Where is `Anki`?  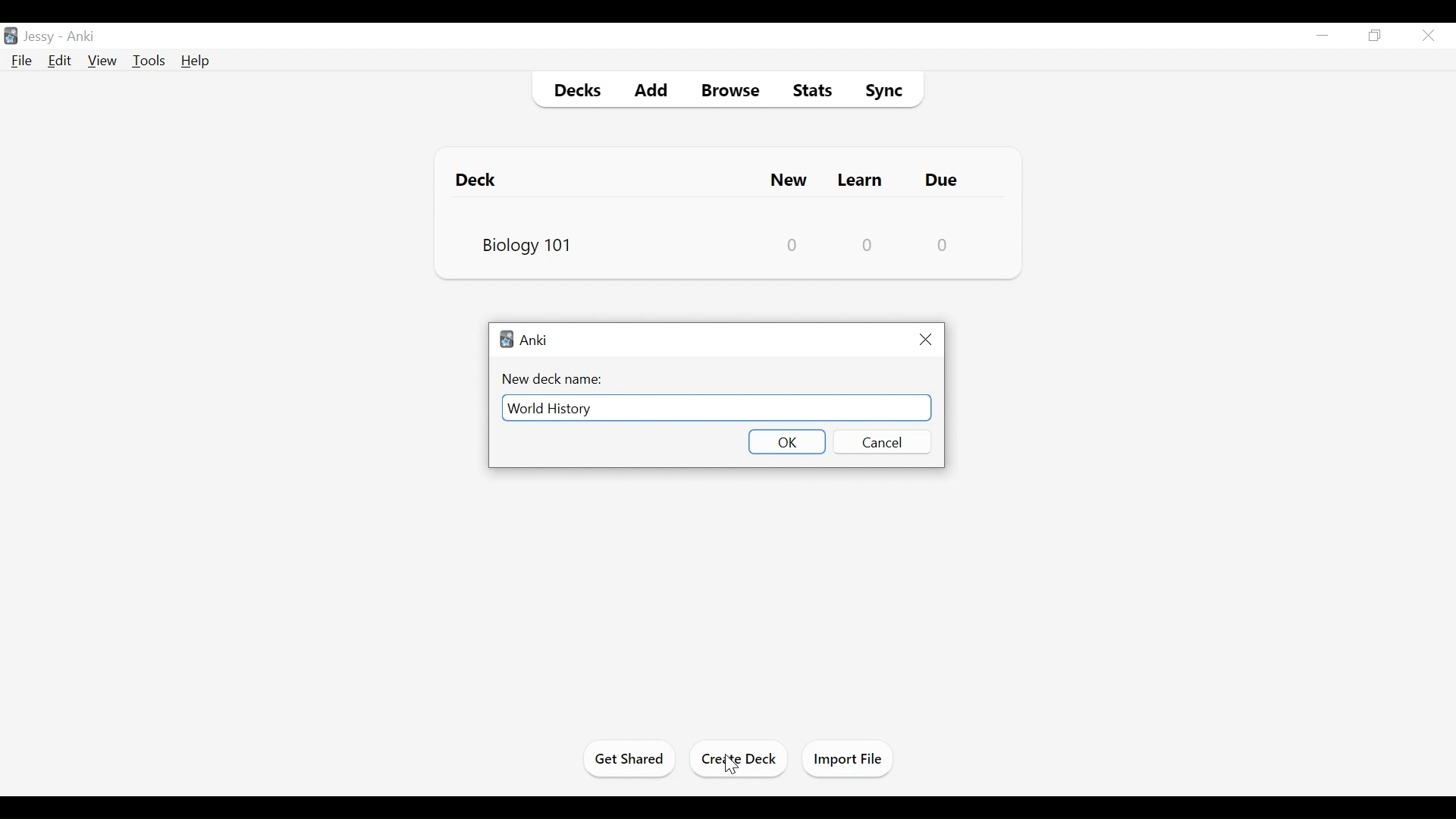
Anki is located at coordinates (85, 36).